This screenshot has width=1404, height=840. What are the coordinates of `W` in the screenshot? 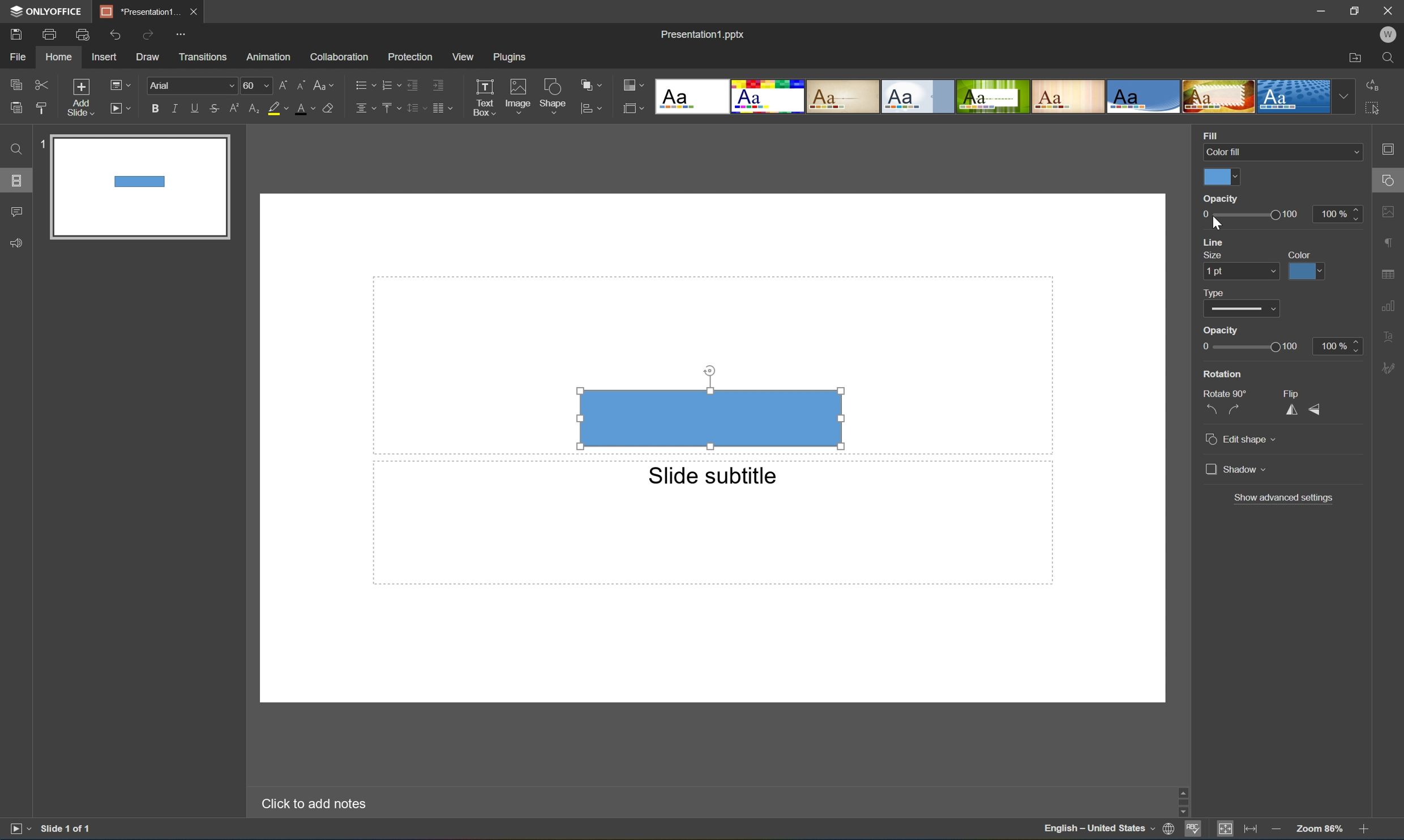 It's located at (1388, 32).